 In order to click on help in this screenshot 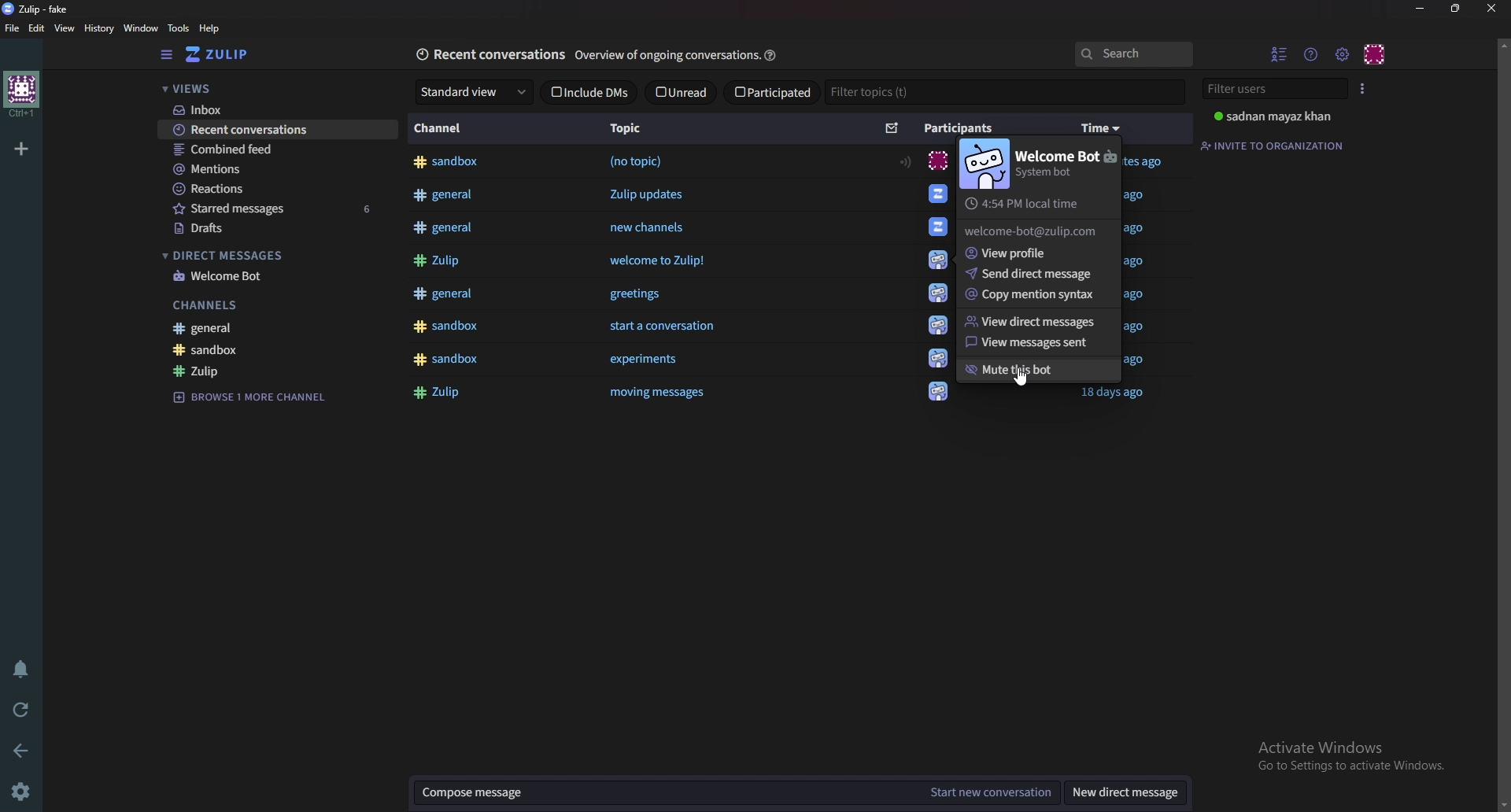, I will do `click(209, 28)`.